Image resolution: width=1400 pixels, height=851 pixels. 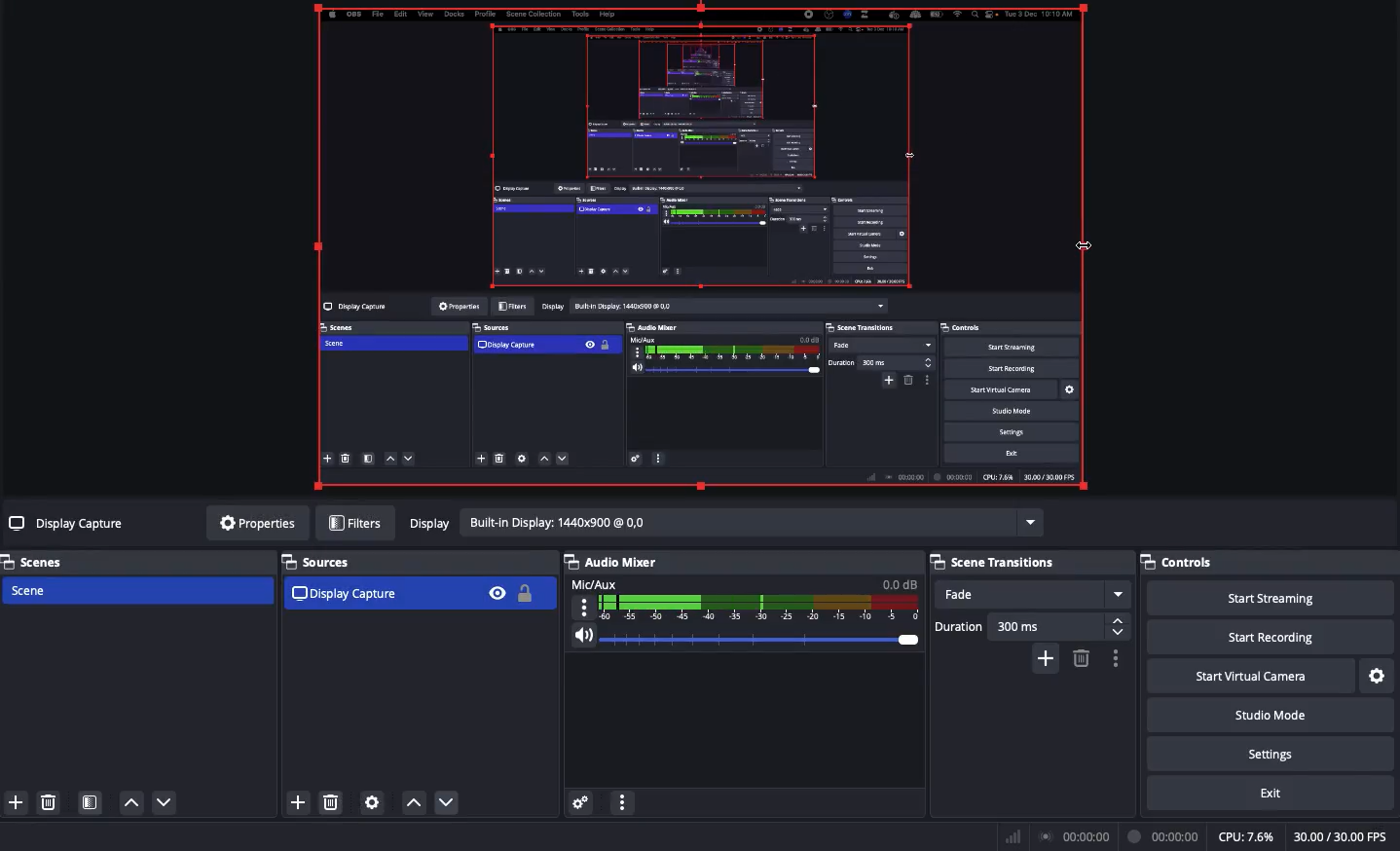 What do you see at coordinates (356, 524) in the screenshot?
I see `Filters` at bounding box center [356, 524].